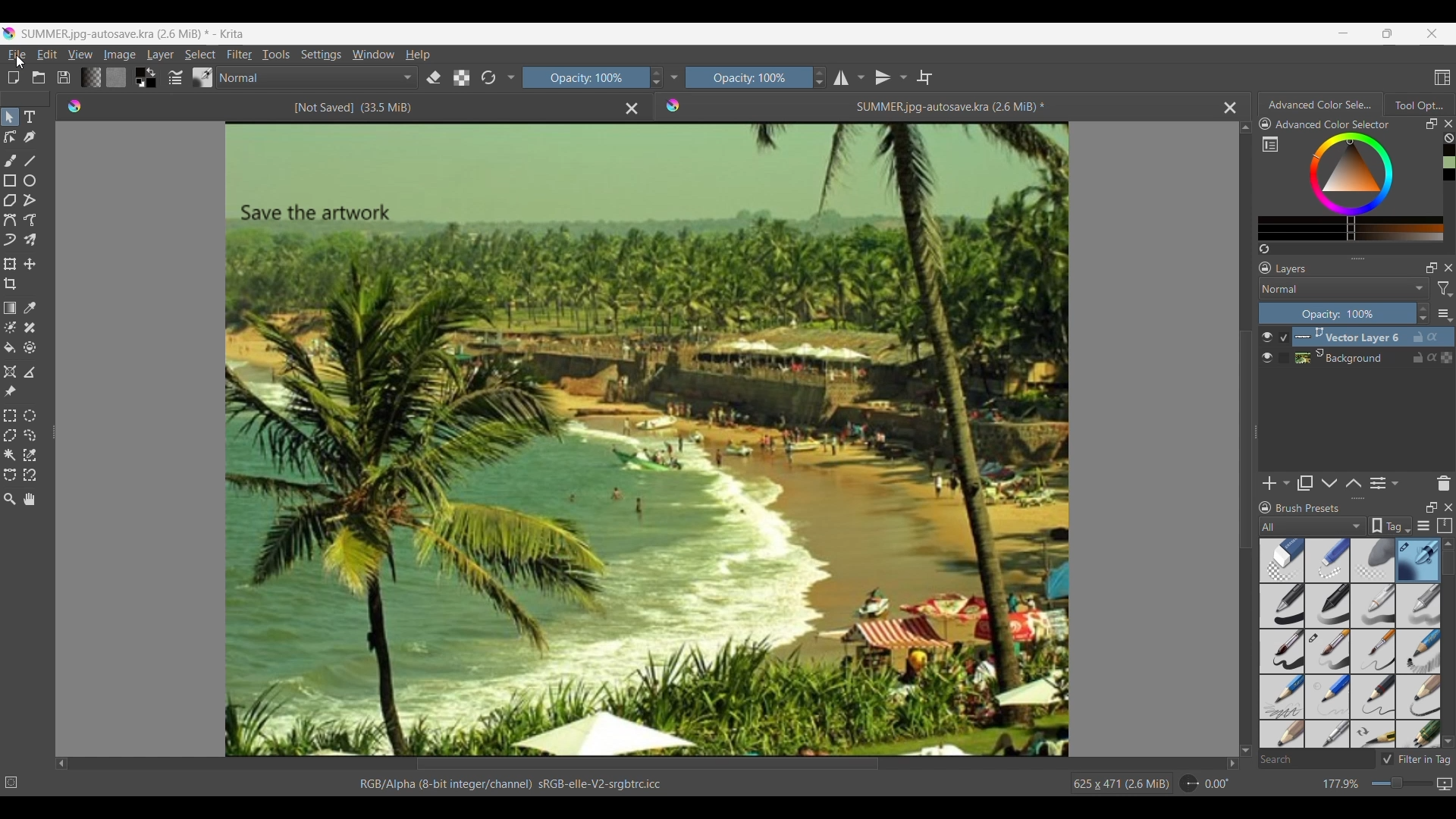 The width and height of the screenshot is (1456, 819). What do you see at coordinates (1232, 764) in the screenshot?
I see `Quick slide to right` at bounding box center [1232, 764].